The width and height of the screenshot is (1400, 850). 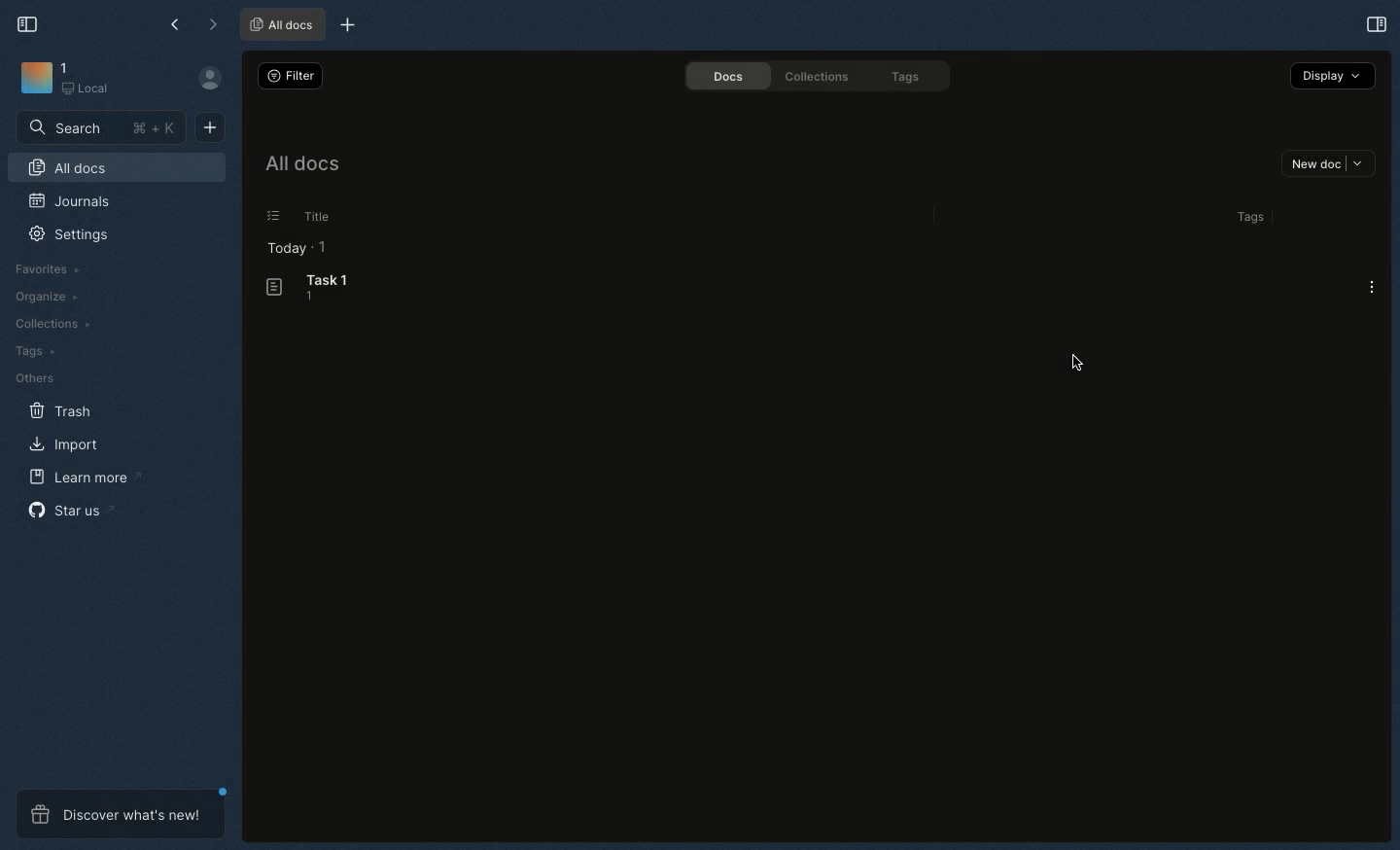 What do you see at coordinates (298, 249) in the screenshot?
I see `Today 1` at bounding box center [298, 249].